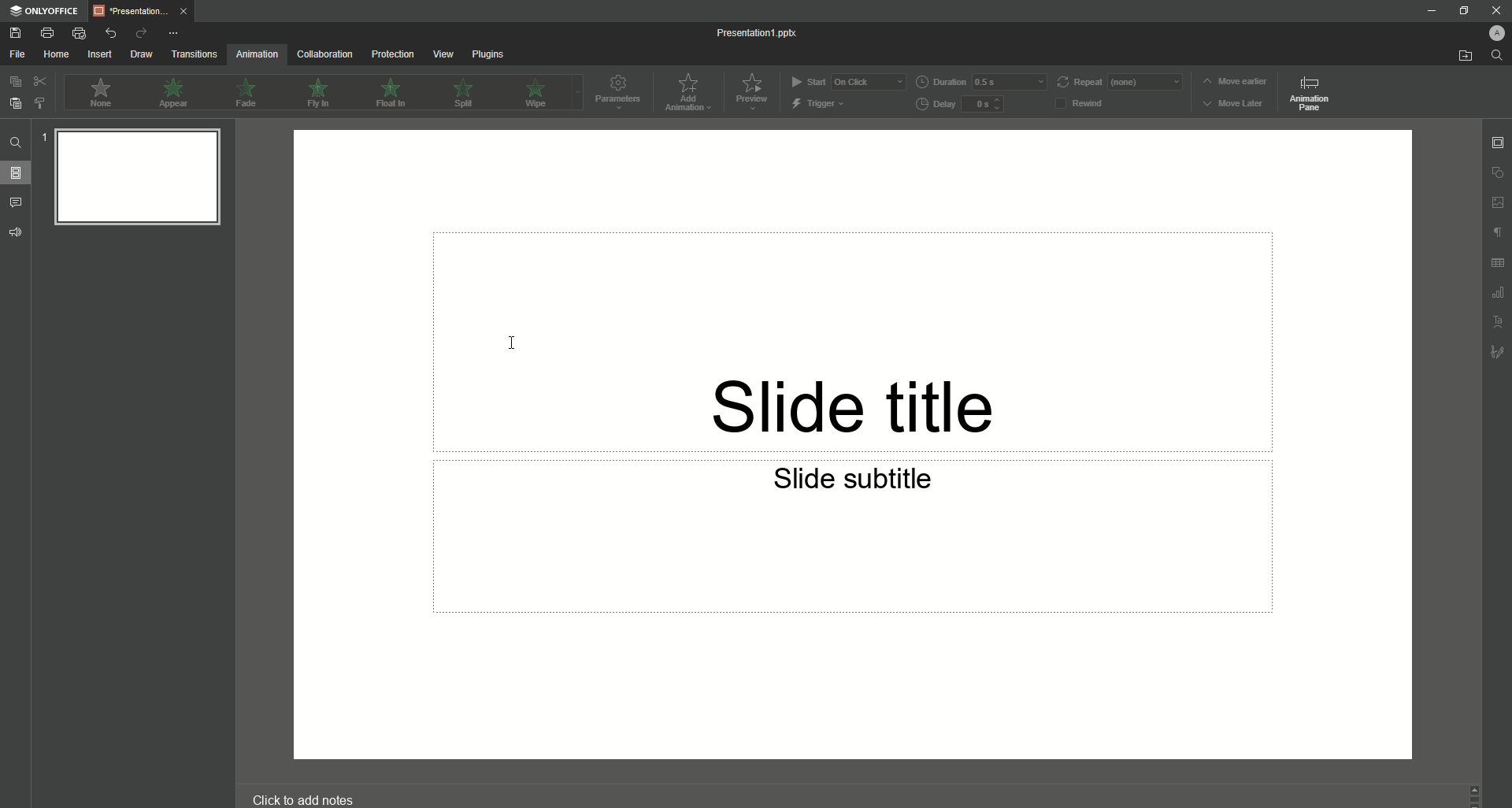 Image resolution: width=1512 pixels, height=808 pixels. Describe the element at coordinates (1497, 295) in the screenshot. I see `Chart Settings` at that location.